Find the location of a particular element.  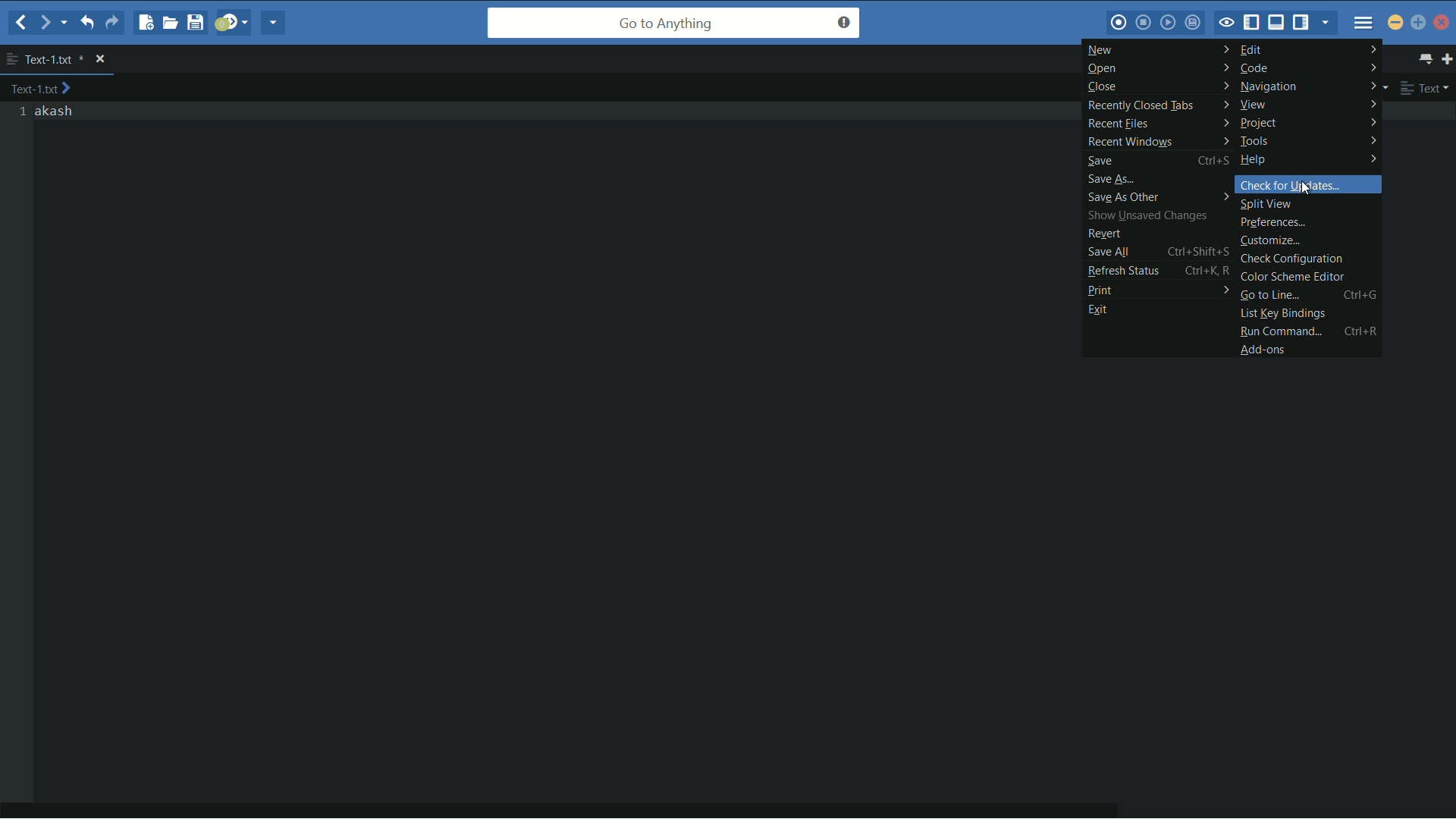

edit is located at coordinates (1308, 49).